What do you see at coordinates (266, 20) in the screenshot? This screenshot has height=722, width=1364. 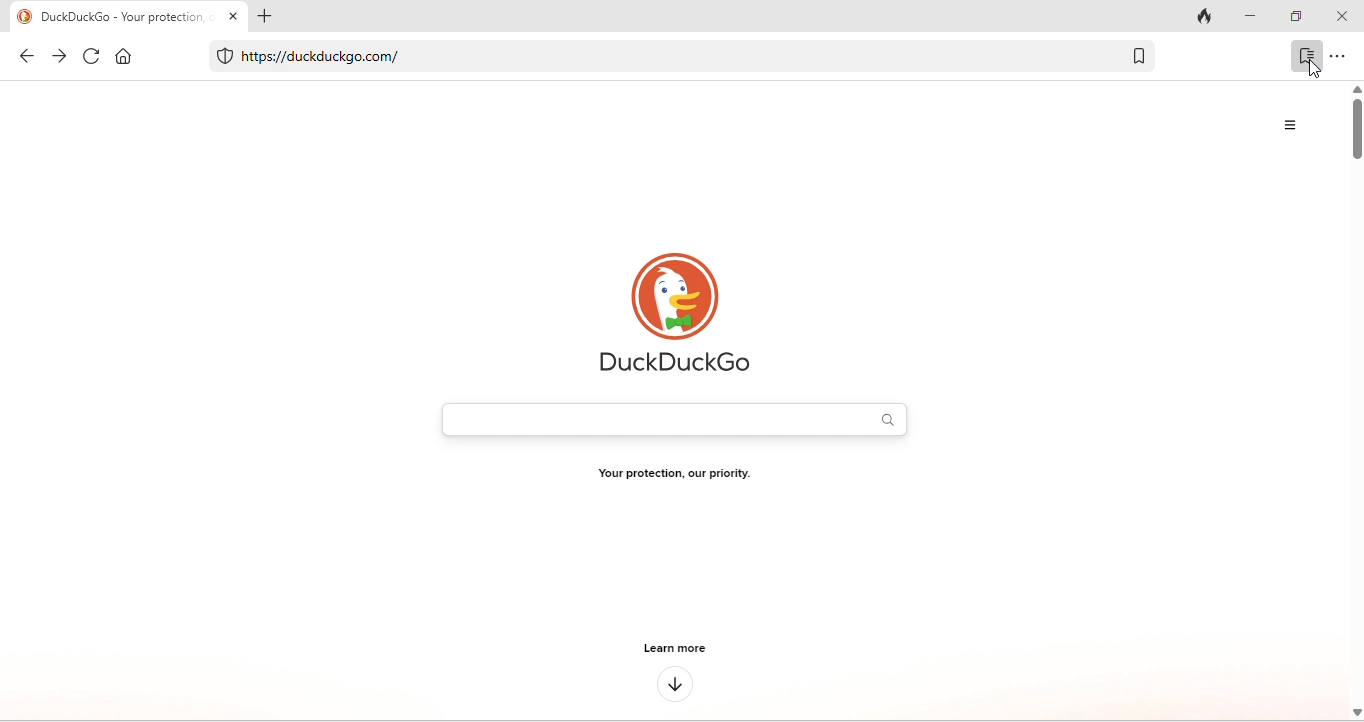 I see `add` at bounding box center [266, 20].